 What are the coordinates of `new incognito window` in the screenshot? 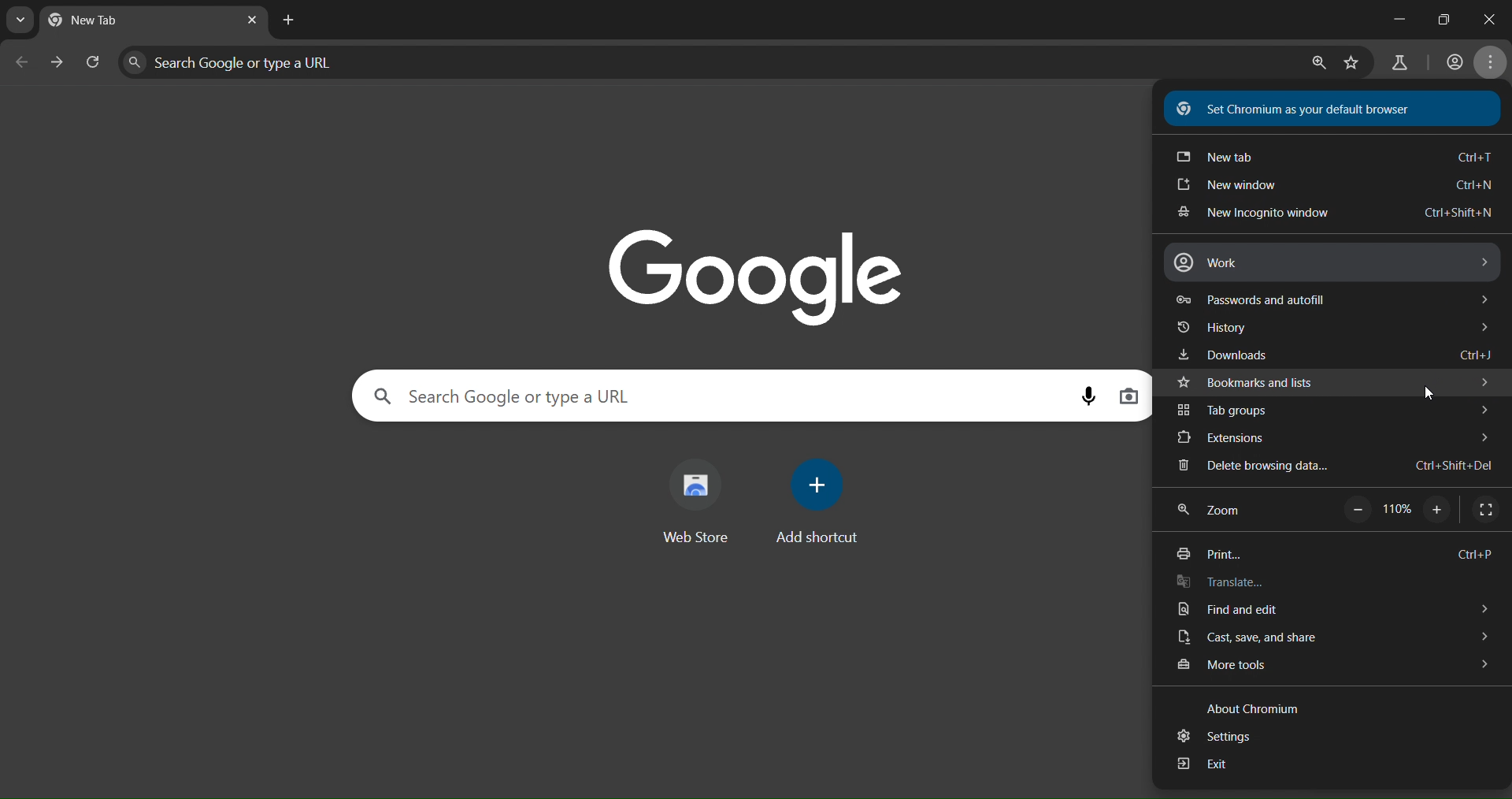 It's located at (1339, 212).